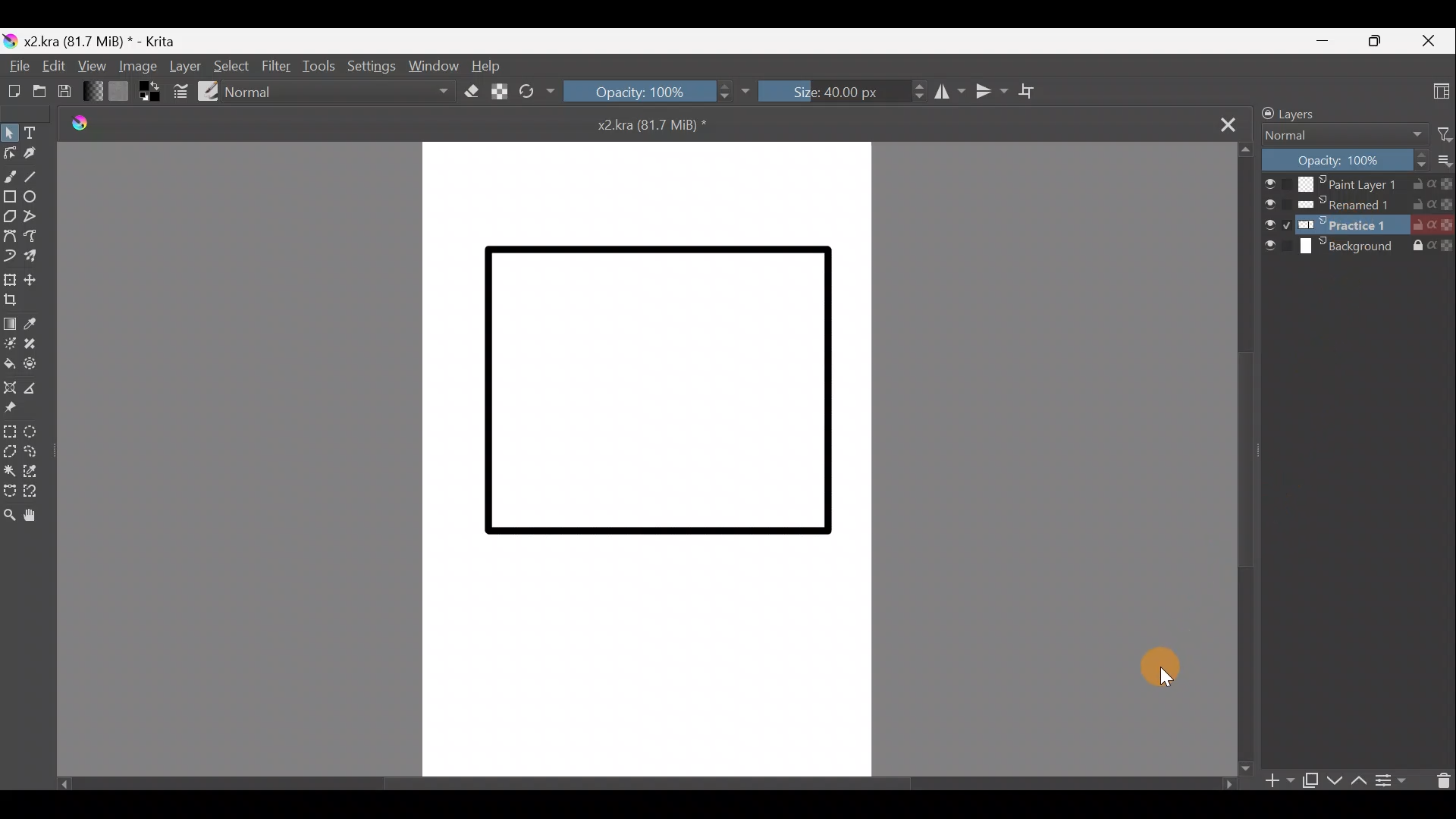 The width and height of the screenshot is (1456, 819). What do you see at coordinates (17, 65) in the screenshot?
I see `File` at bounding box center [17, 65].